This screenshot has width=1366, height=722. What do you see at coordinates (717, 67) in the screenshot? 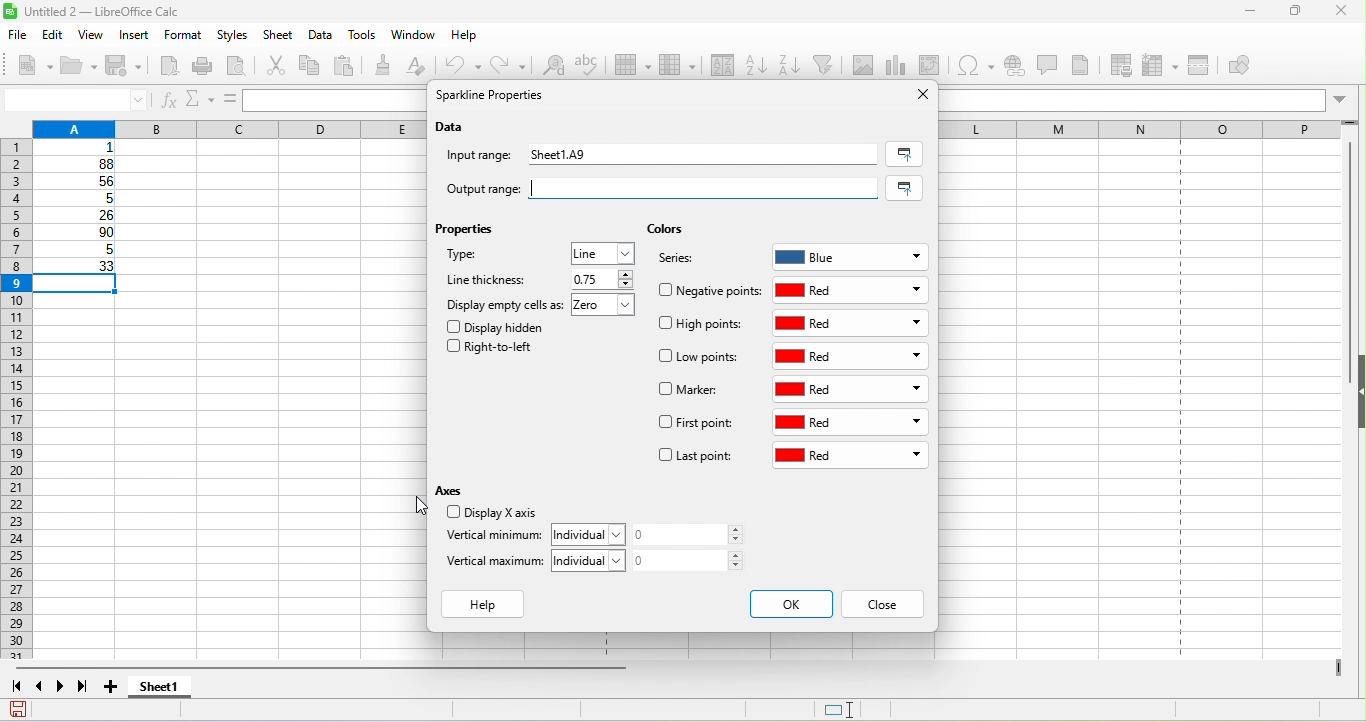
I see `sort` at bounding box center [717, 67].